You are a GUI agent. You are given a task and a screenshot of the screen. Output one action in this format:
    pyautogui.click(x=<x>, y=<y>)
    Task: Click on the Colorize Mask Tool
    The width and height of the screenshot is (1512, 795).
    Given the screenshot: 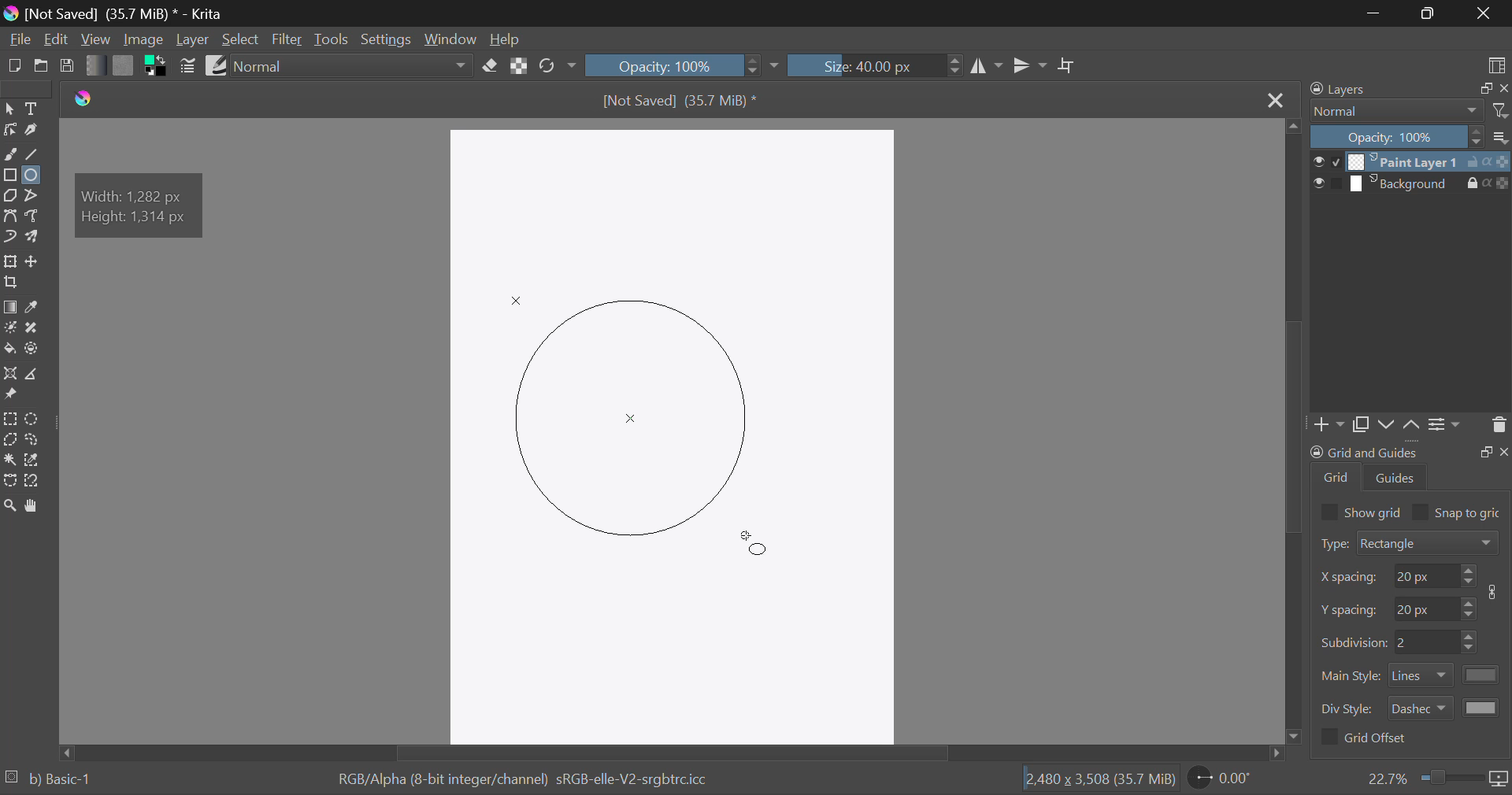 What is the action you would take?
    pyautogui.click(x=10, y=328)
    